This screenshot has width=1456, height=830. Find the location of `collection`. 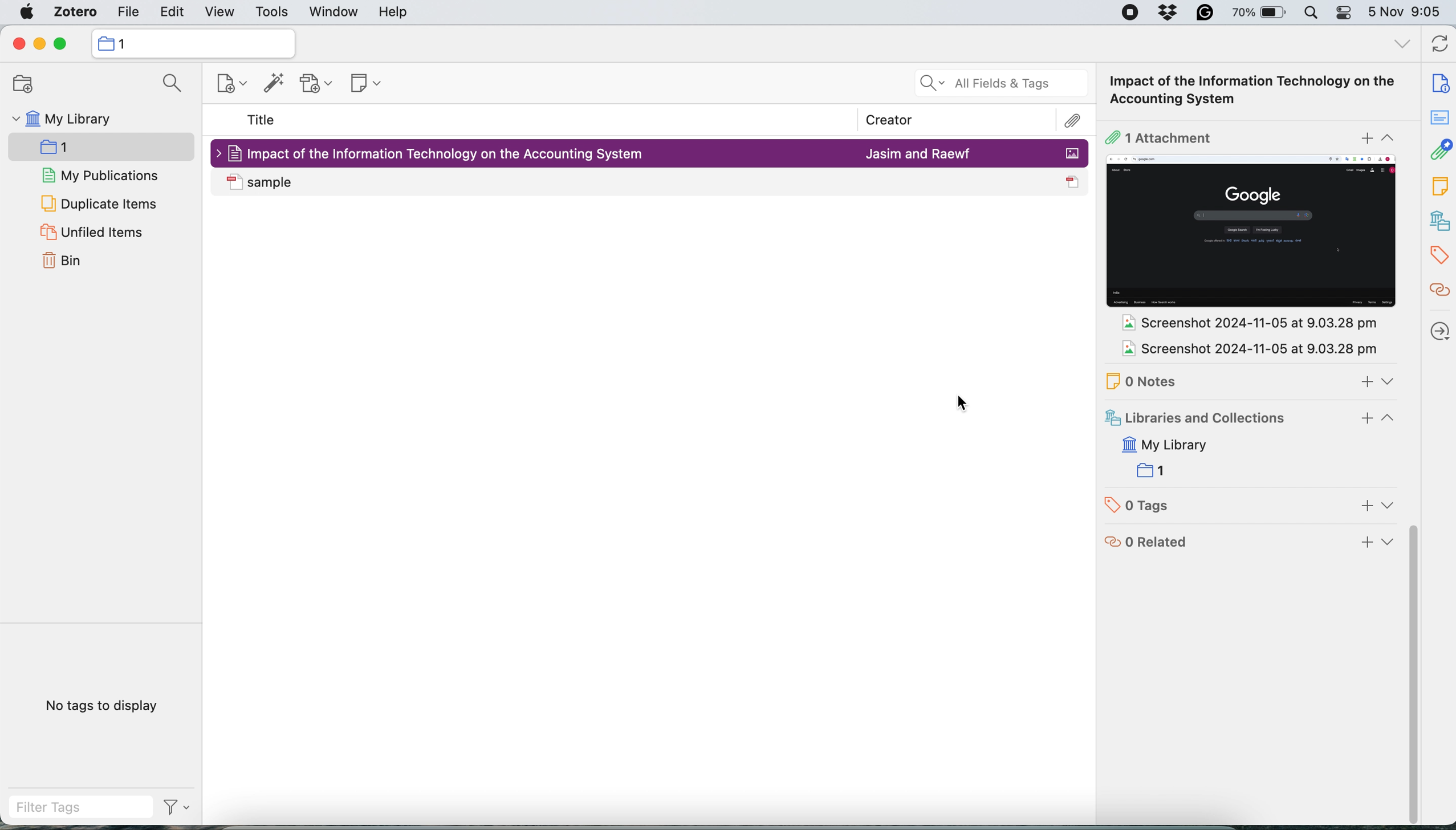

collection is located at coordinates (1160, 469).